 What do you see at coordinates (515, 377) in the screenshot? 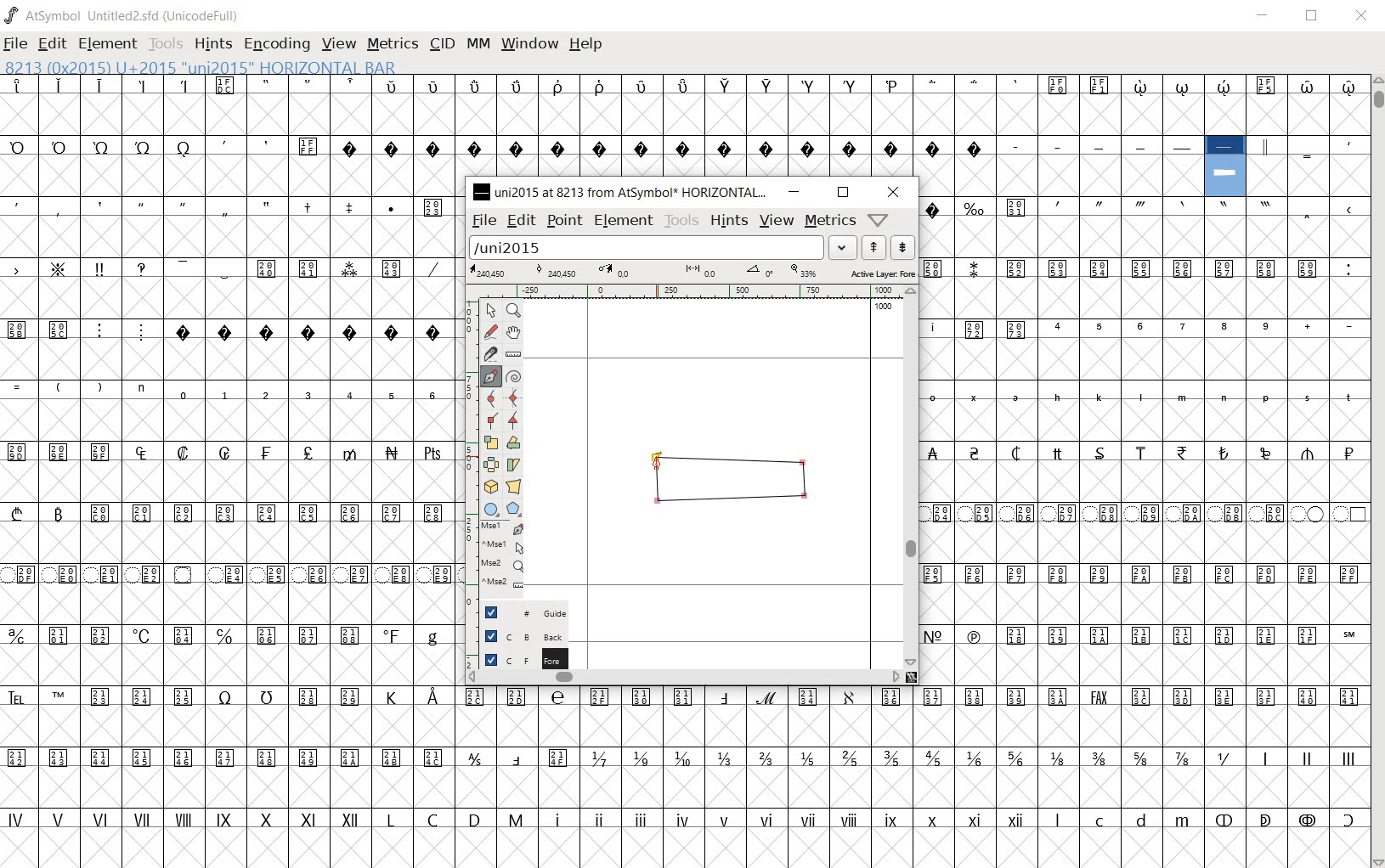
I see `change whether spiro is active or not` at bounding box center [515, 377].